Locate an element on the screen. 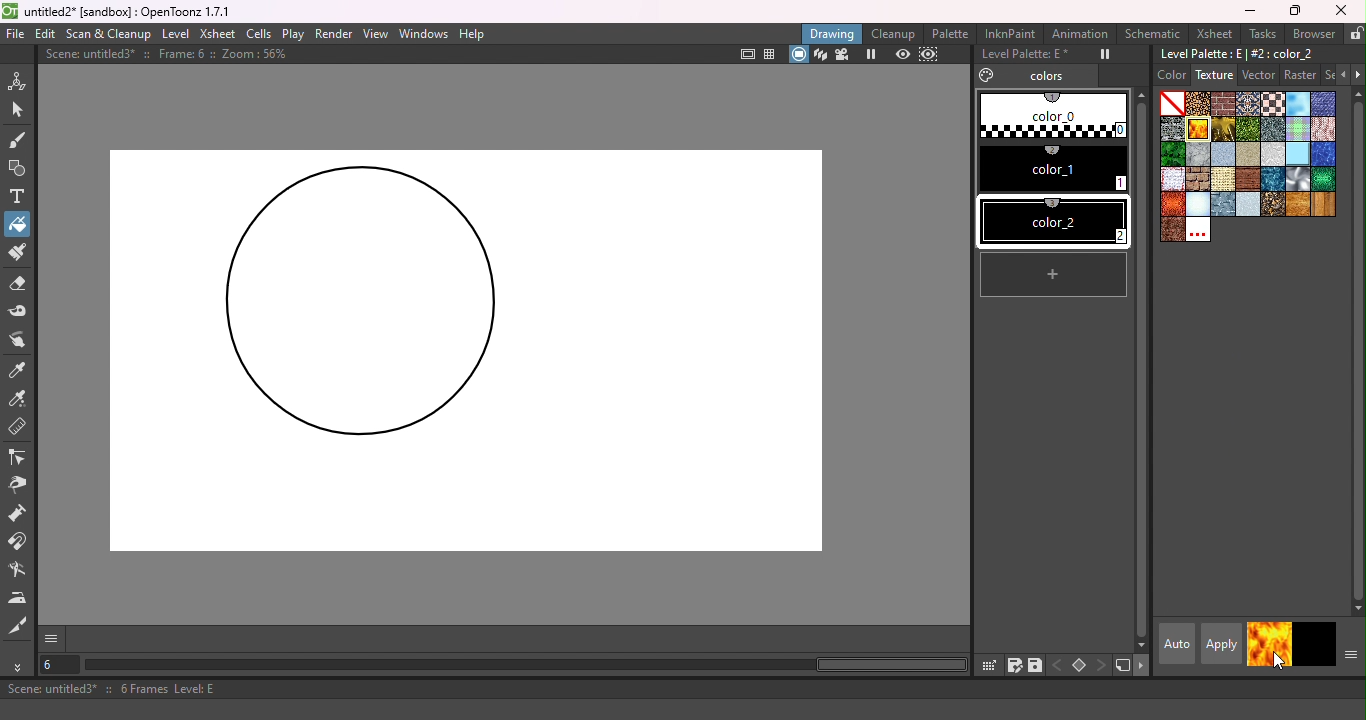 The width and height of the screenshot is (1366, 720). Xsheet is located at coordinates (1214, 34).